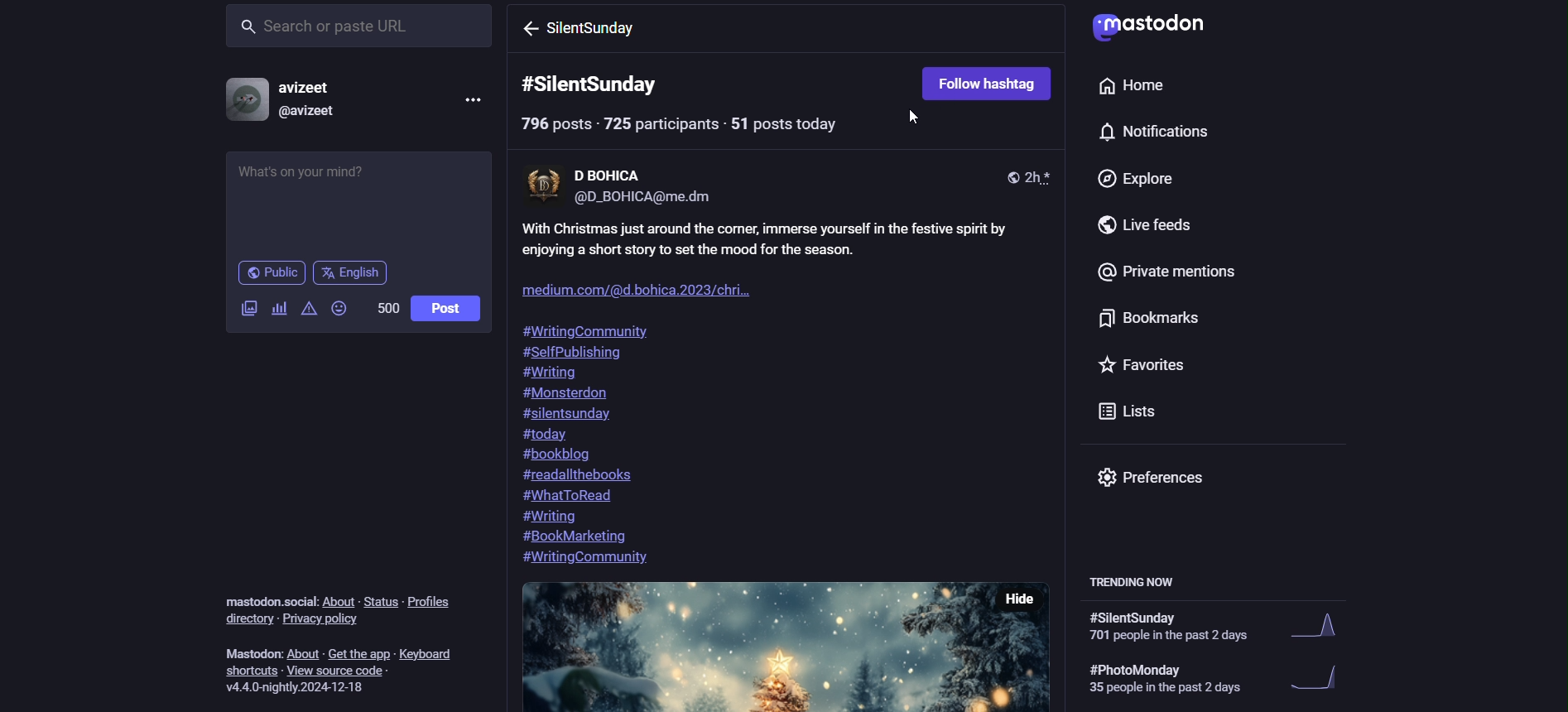  I want to click on Public, so click(270, 273).